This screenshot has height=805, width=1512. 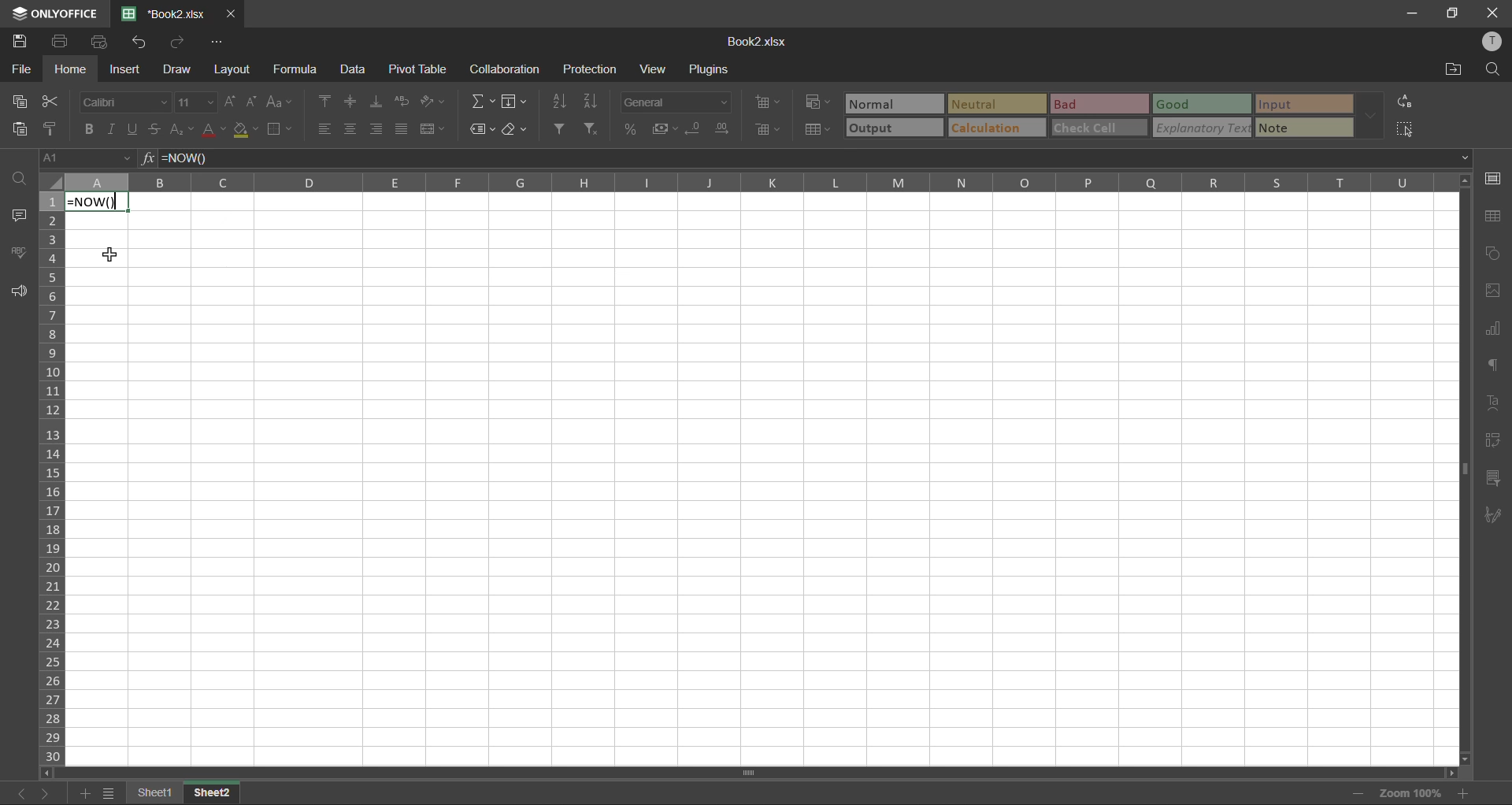 What do you see at coordinates (996, 105) in the screenshot?
I see `neutral` at bounding box center [996, 105].